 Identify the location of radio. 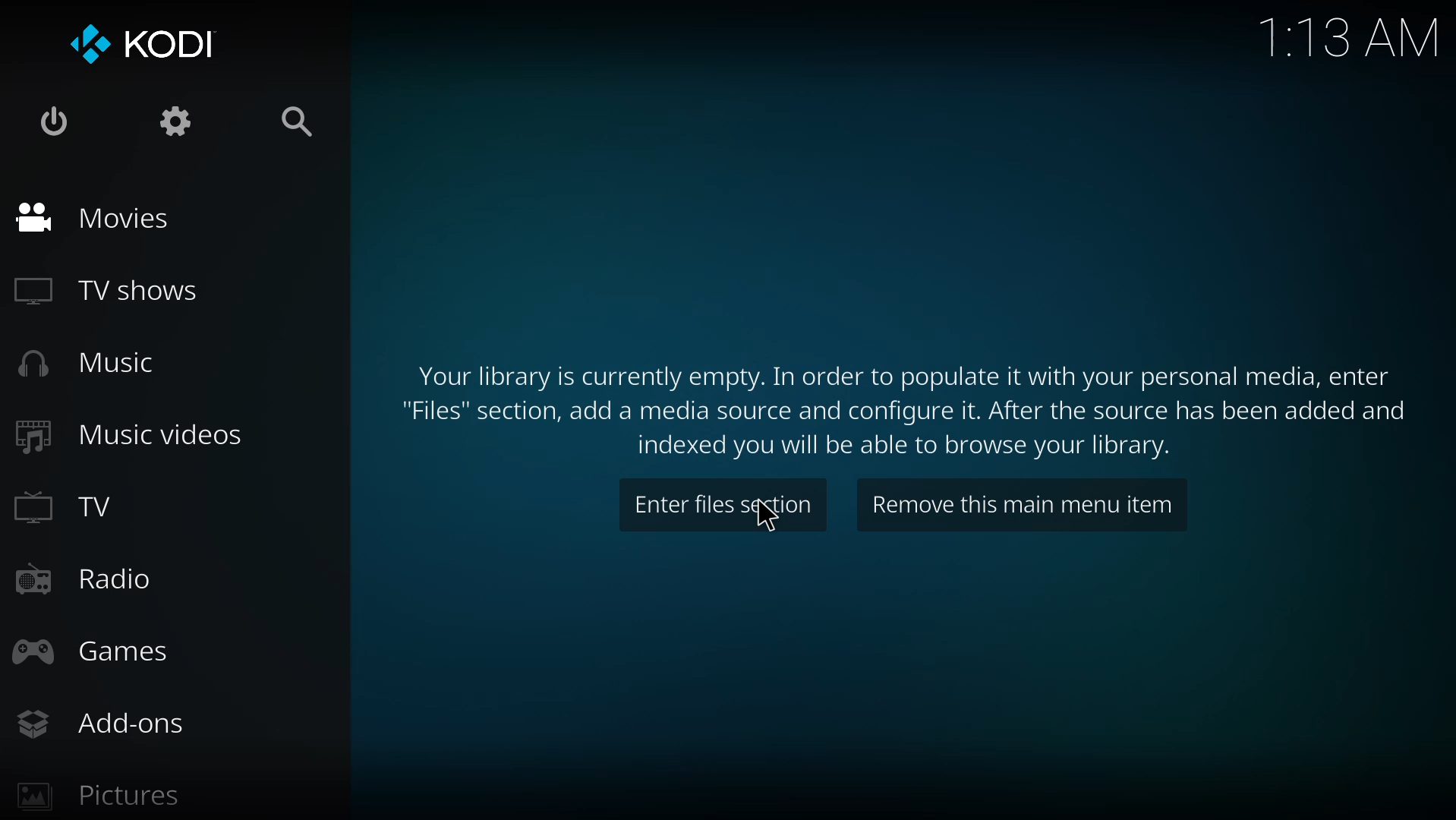
(84, 582).